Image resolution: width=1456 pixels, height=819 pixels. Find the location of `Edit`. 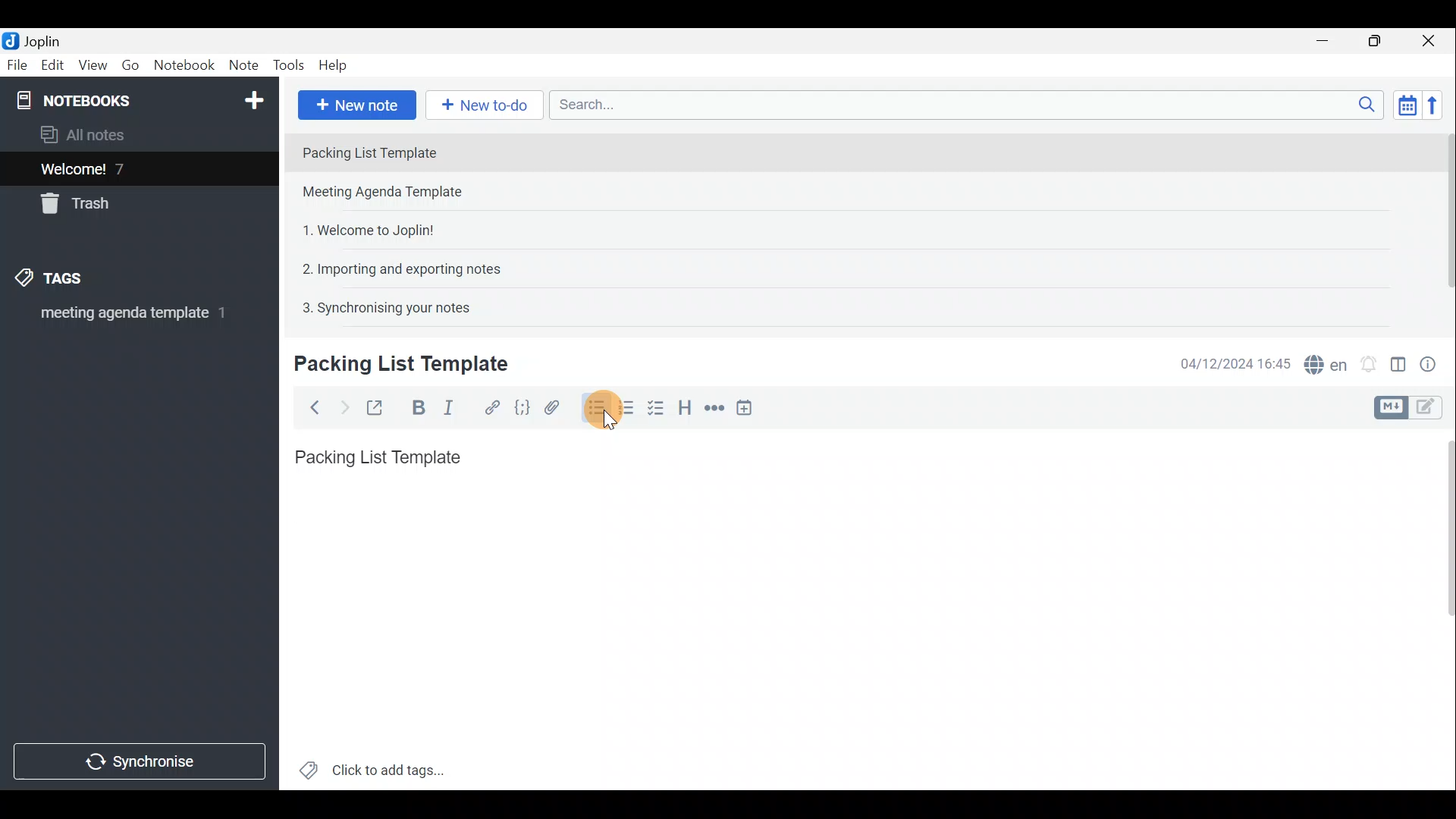

Edit is located at coordinates (49, 66).